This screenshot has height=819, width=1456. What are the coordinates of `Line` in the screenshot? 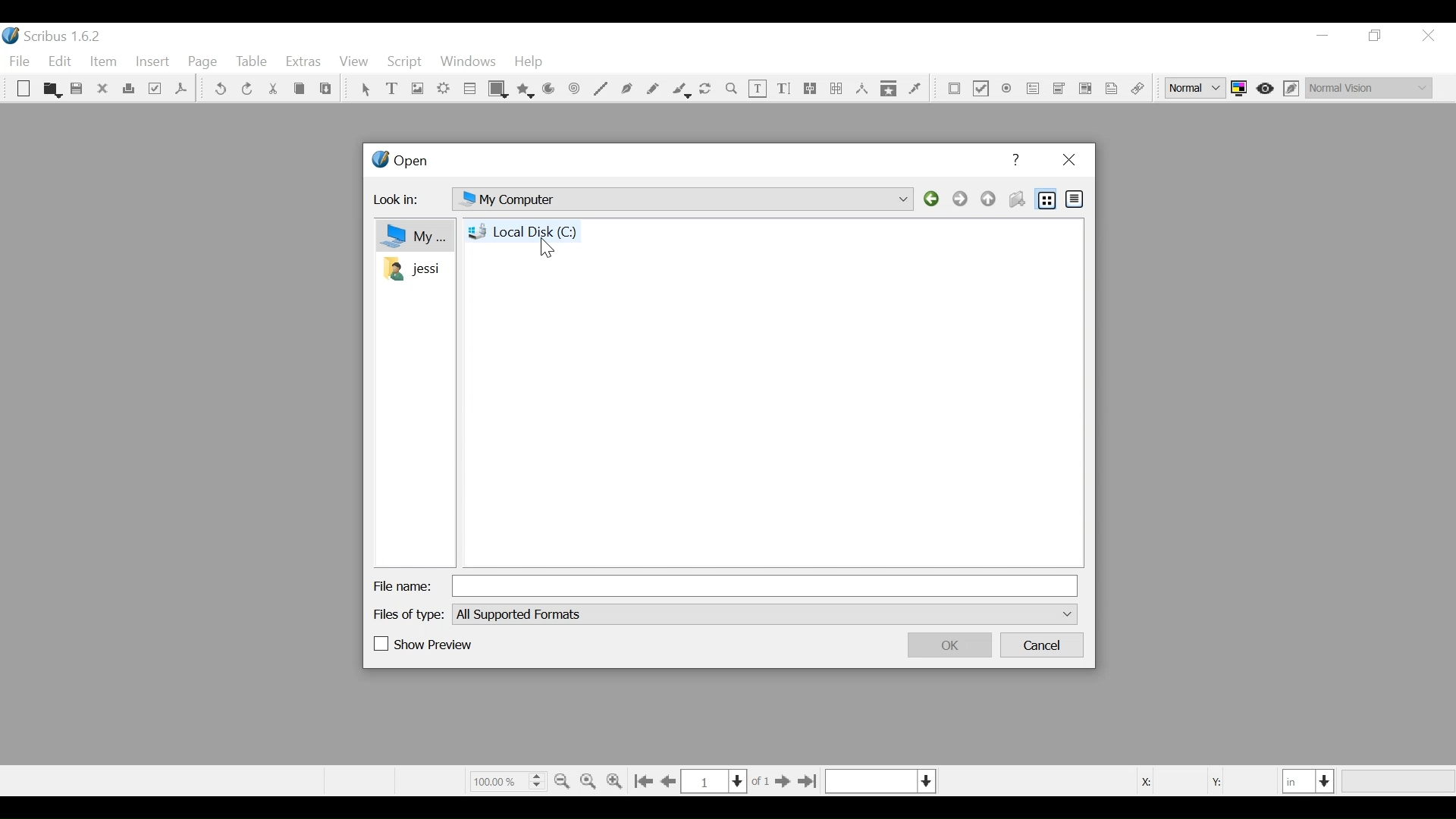 It's located at (600, 89).